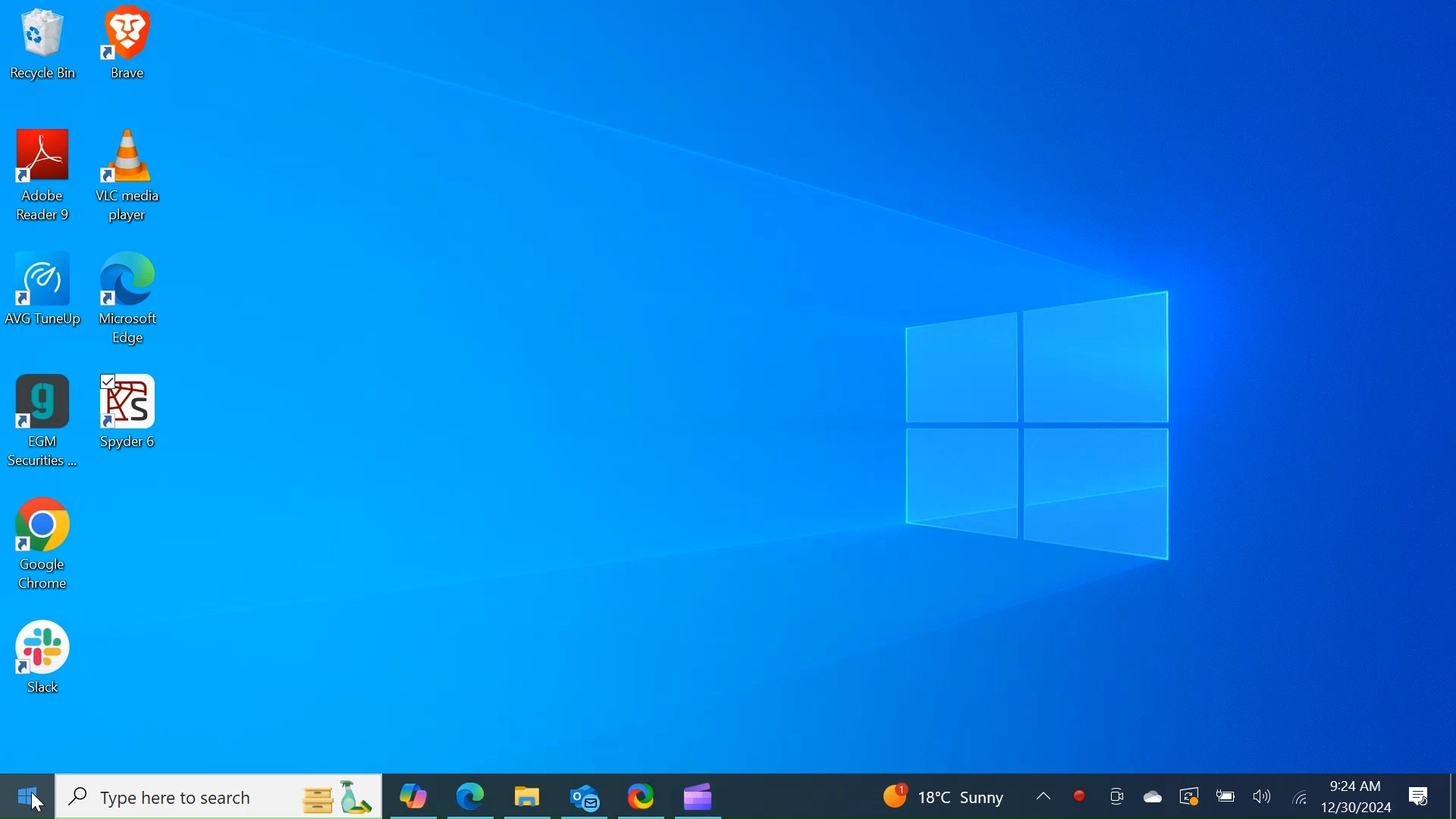 This screenshot has height=819, width=1456. Describe the element at coordinates (1354, 786) in the screenshot. I see `9: 24 AM` at that location.